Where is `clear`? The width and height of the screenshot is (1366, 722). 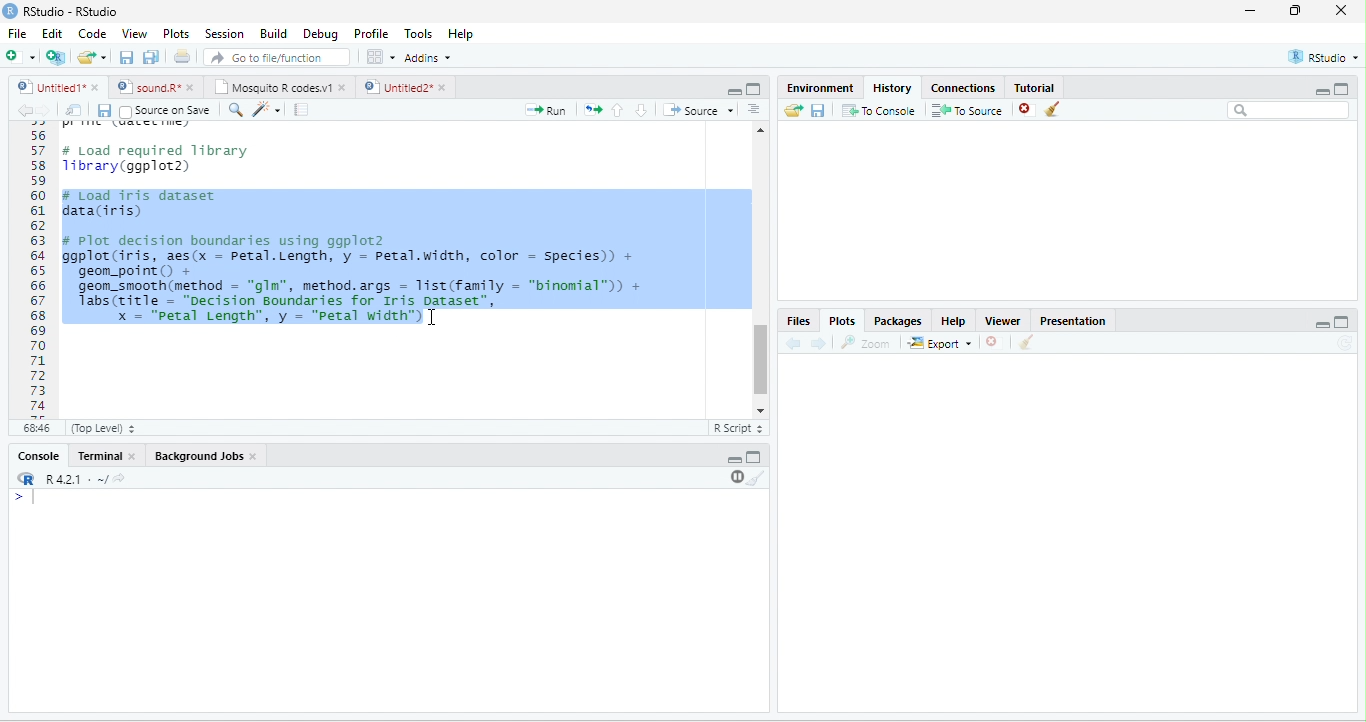 clear is located at coordinates (1052, 109).